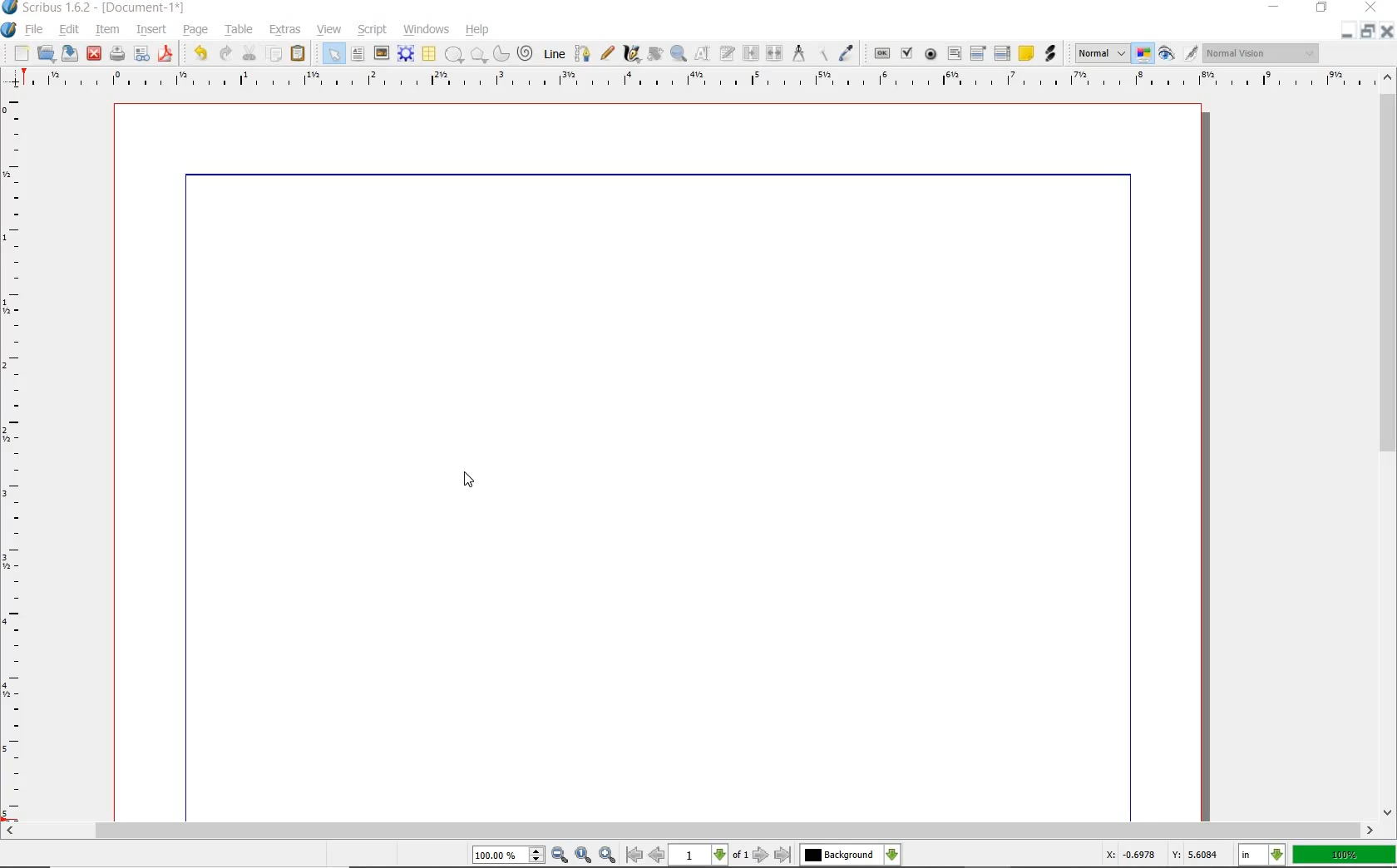  Describe the element at coordinates (1190, 52) in the screenshot. I see `EDIT IN PREVIEW MODE` at that location.